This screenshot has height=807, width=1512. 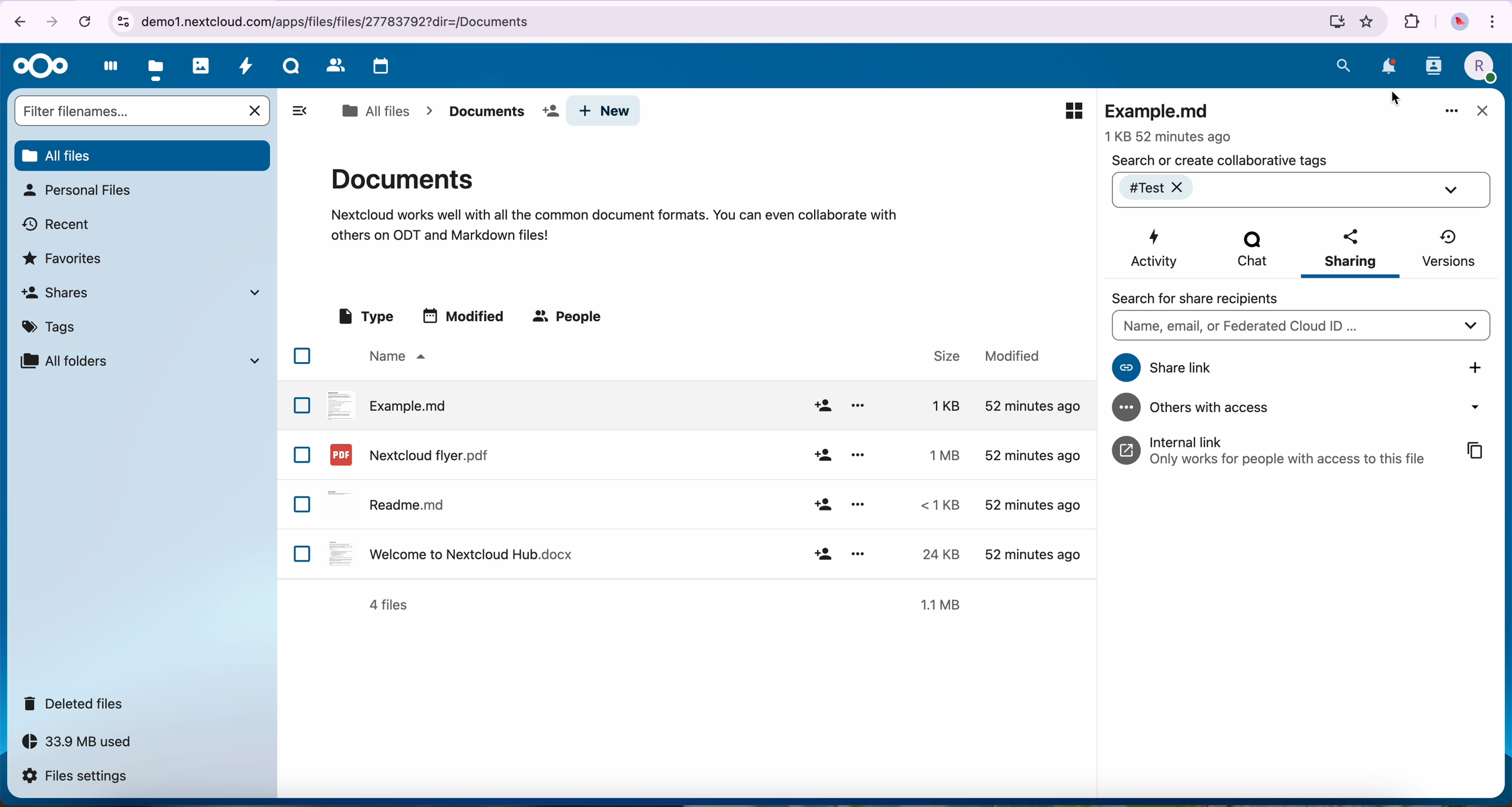 What do you see at coordinates (934, 554) in the screenshot?
I see `size` at bounding box center [934, 554].